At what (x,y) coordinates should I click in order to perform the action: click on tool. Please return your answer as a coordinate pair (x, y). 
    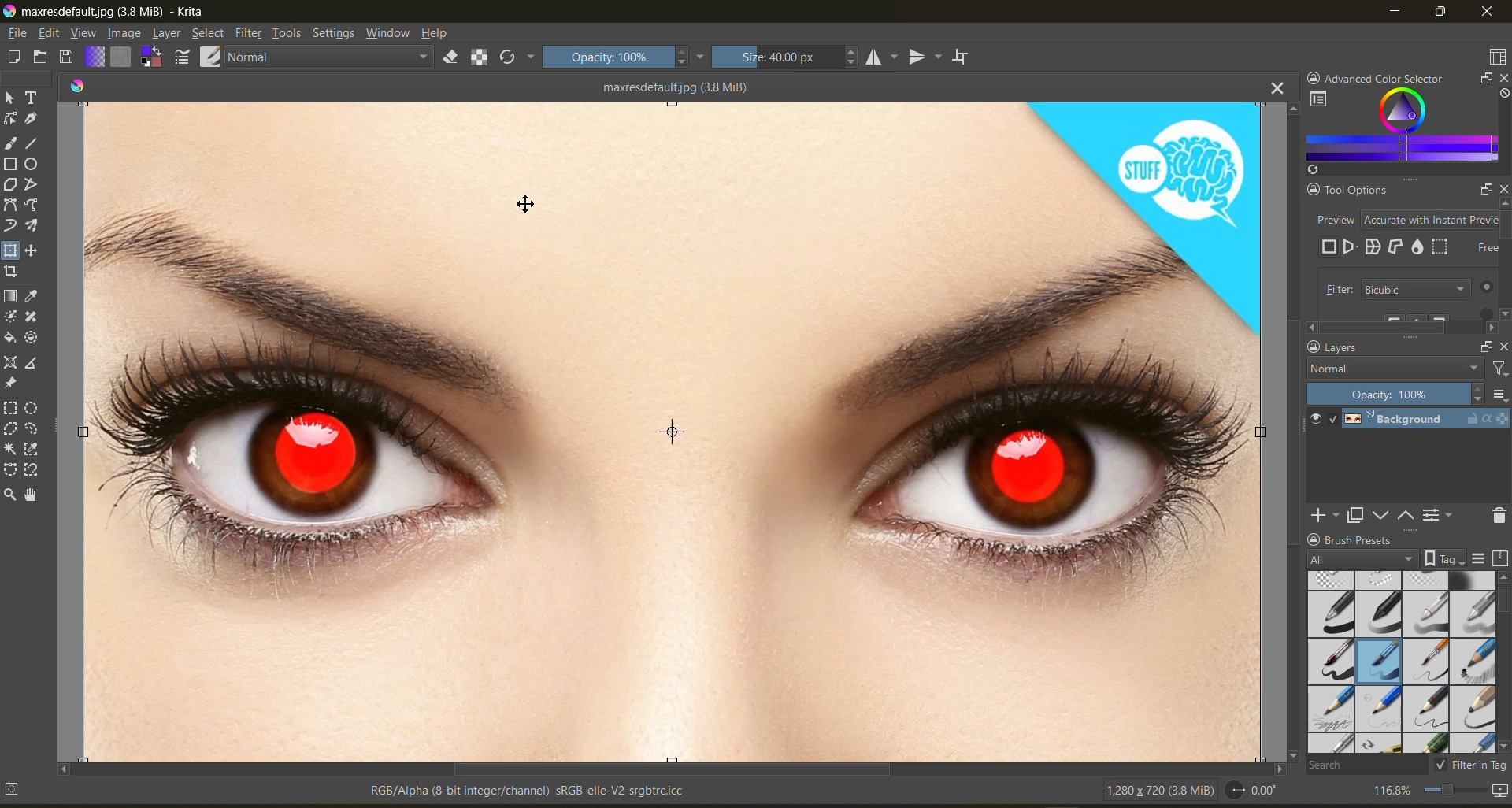
    Looking at the image, I should click on (33, 429).